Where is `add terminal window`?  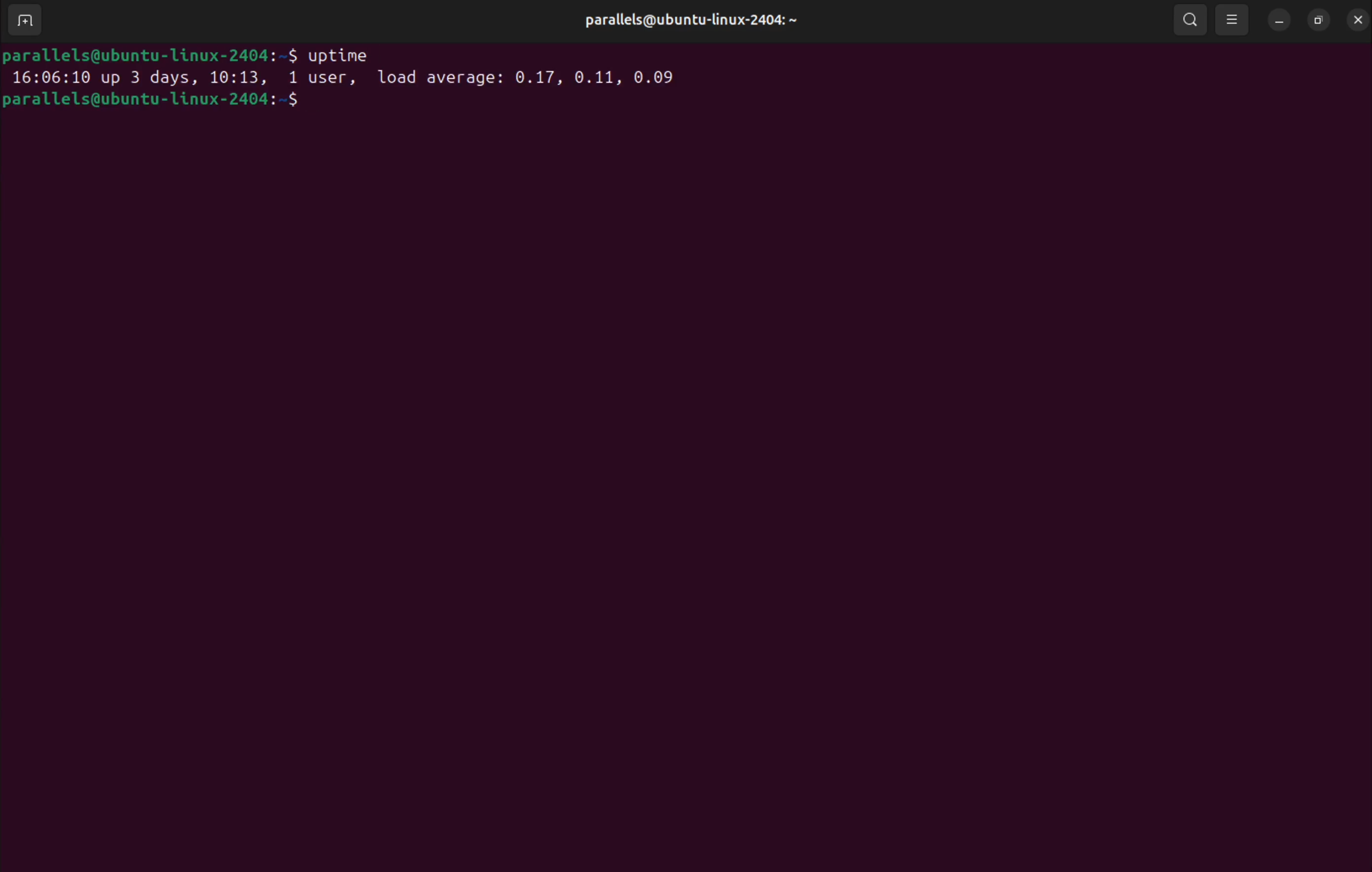
add terminal window is located at coordinates (23, 18).